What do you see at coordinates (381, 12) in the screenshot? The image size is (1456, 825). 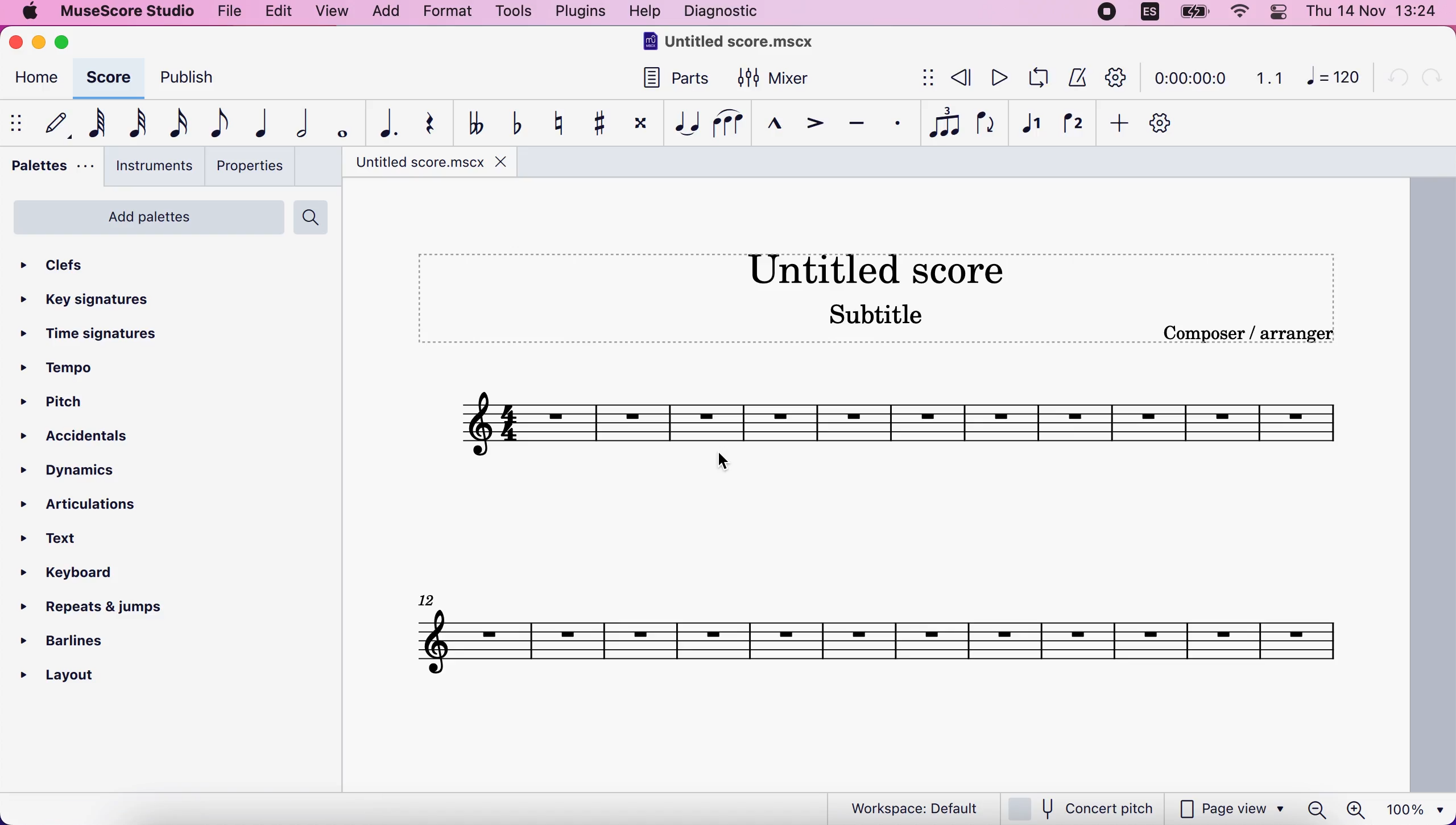 I see `add` at bounding box center [381, 12].